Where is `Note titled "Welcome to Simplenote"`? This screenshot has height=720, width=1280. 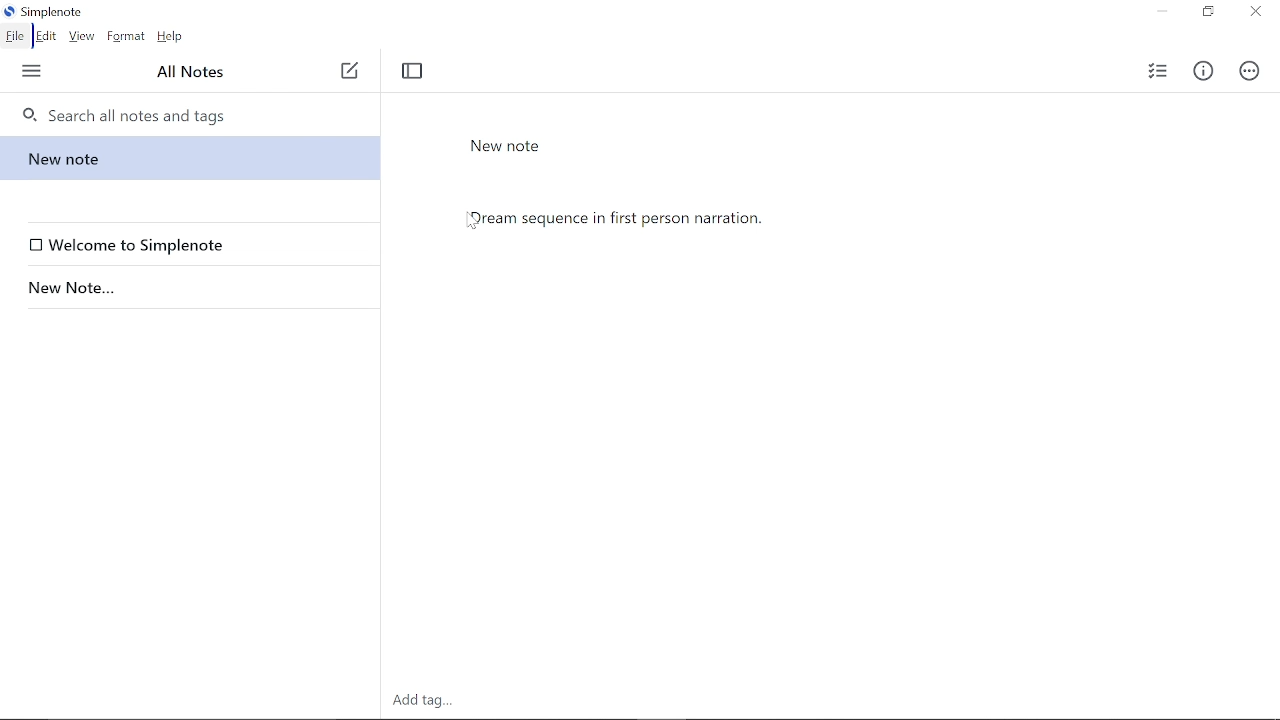 Note titled "Welcome to Simplenote" is located at coordinates (194, 244).